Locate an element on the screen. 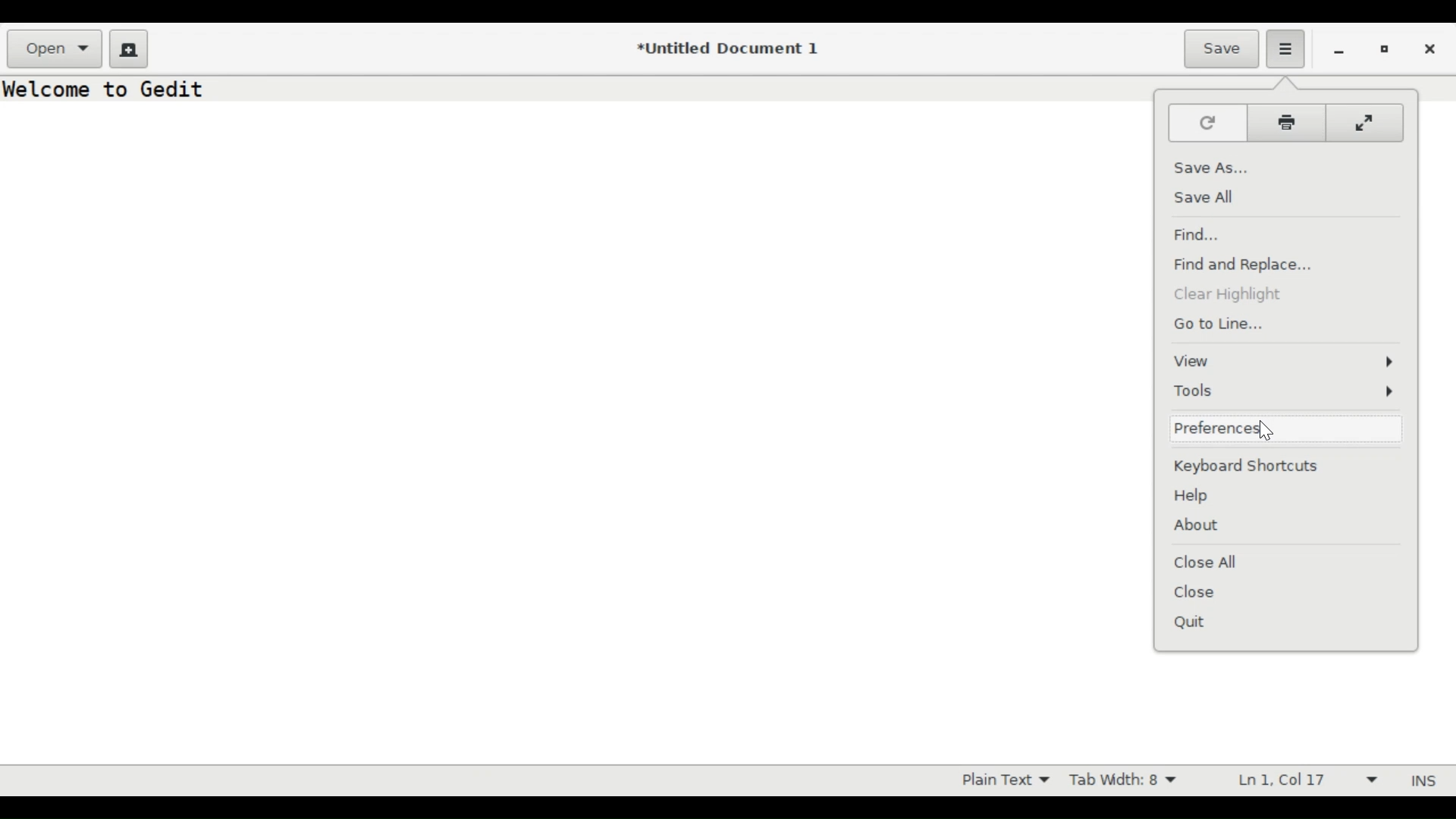 The width and height of the screenshot is (1456, 819). Close is located at coordinates (1198, 591).